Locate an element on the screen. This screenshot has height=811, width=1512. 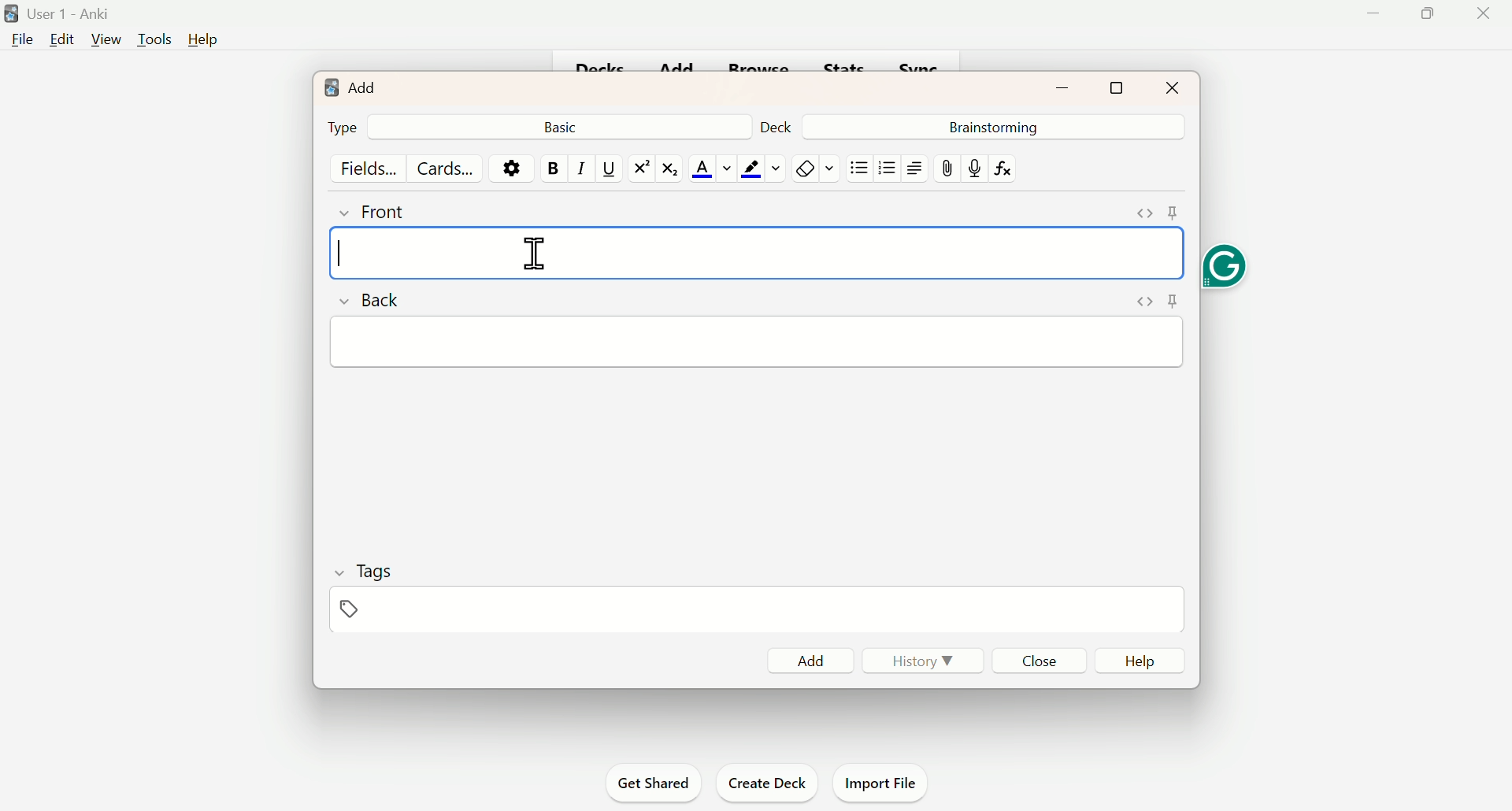
 is located at coordinates (65, 38).